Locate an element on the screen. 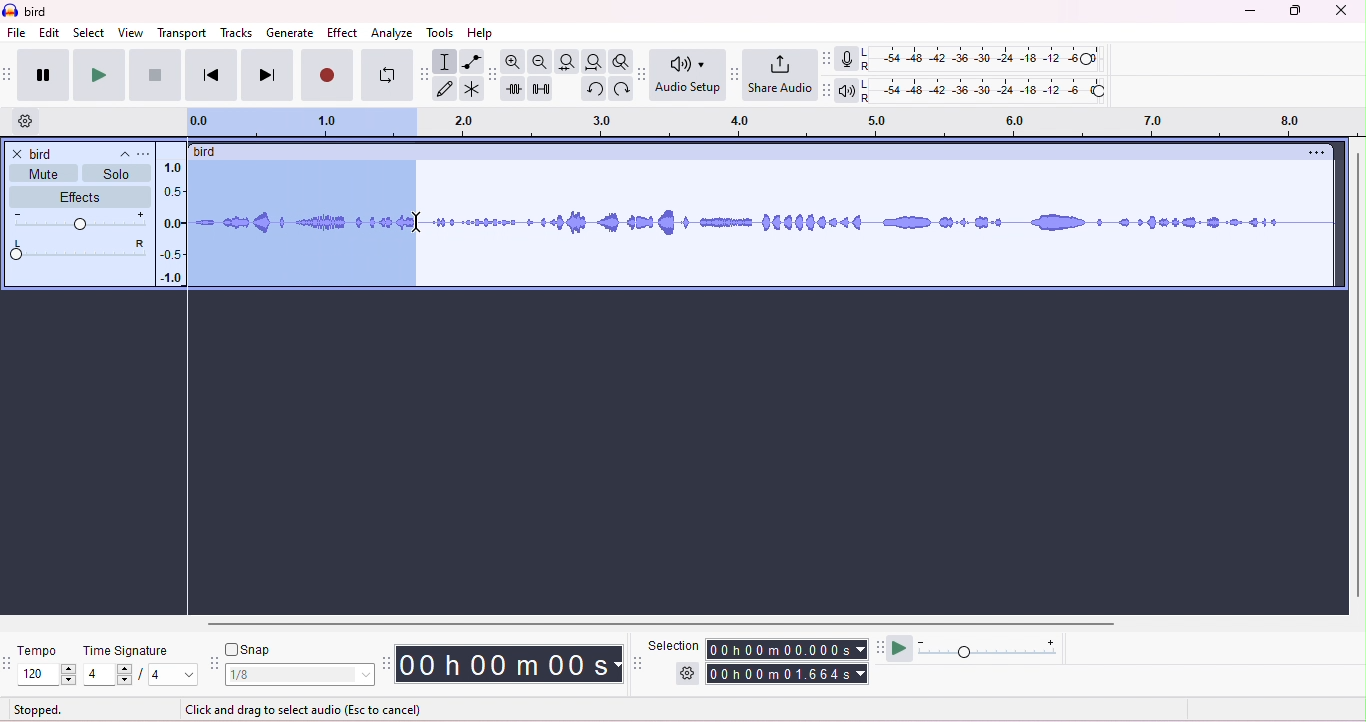 The image size is (1366, 722). envelop is located at coordinates (472, 61).